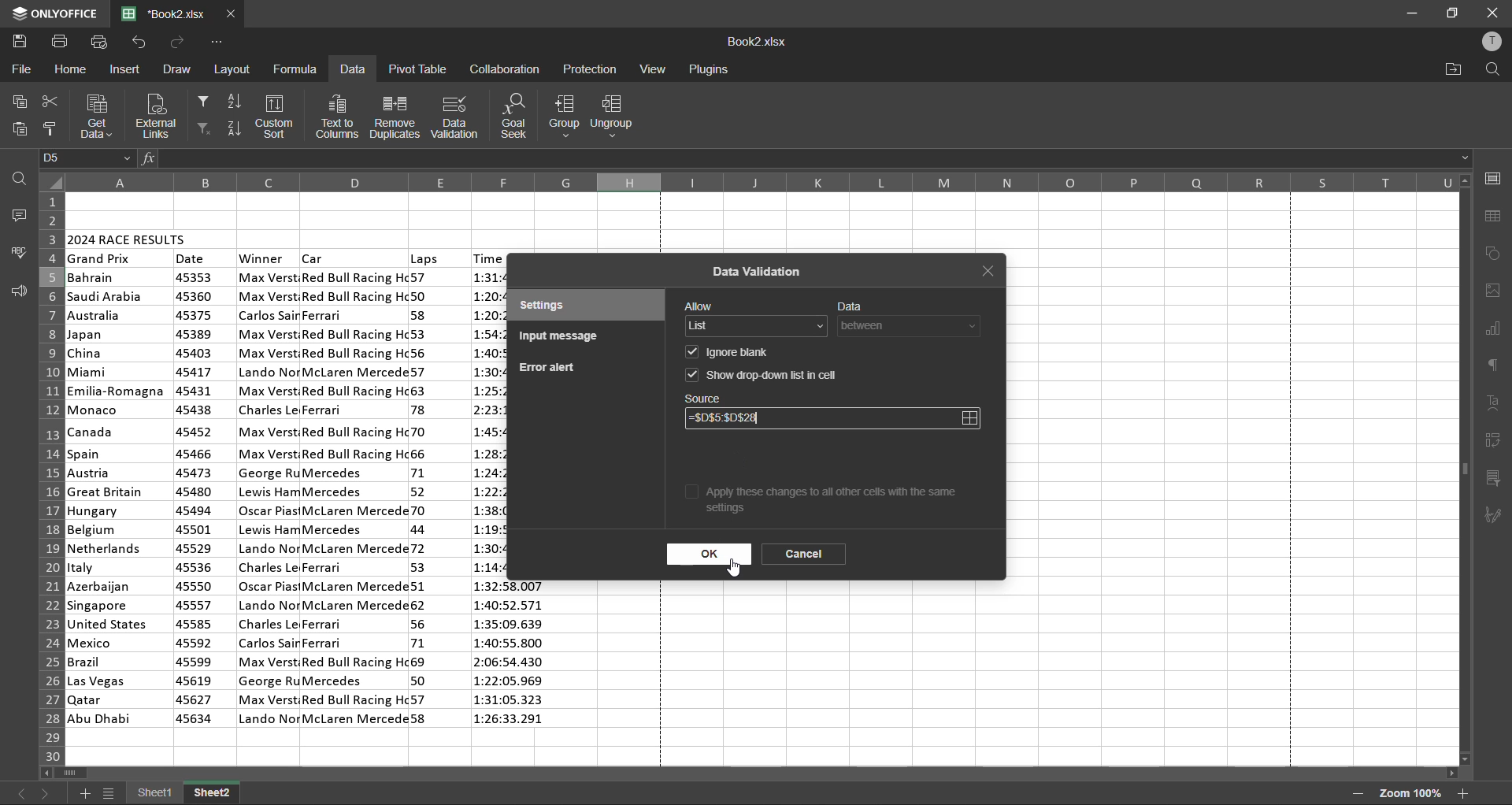 The height and width of the screenshot is (805, 1512). I want to click on table, so click(1497, 217).